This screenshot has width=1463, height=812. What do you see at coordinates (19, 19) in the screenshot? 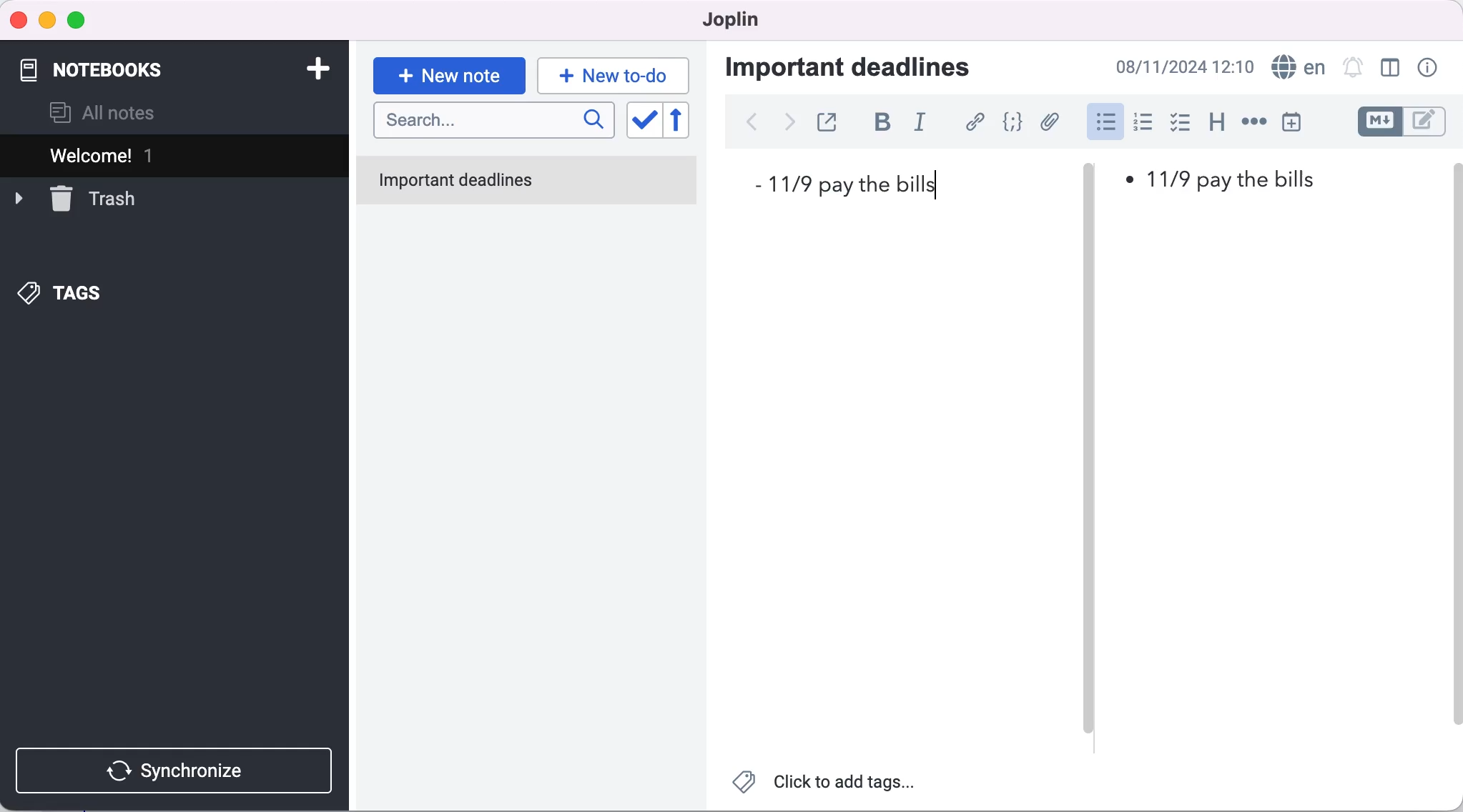
I see `close` at bounding box center [19, 19].